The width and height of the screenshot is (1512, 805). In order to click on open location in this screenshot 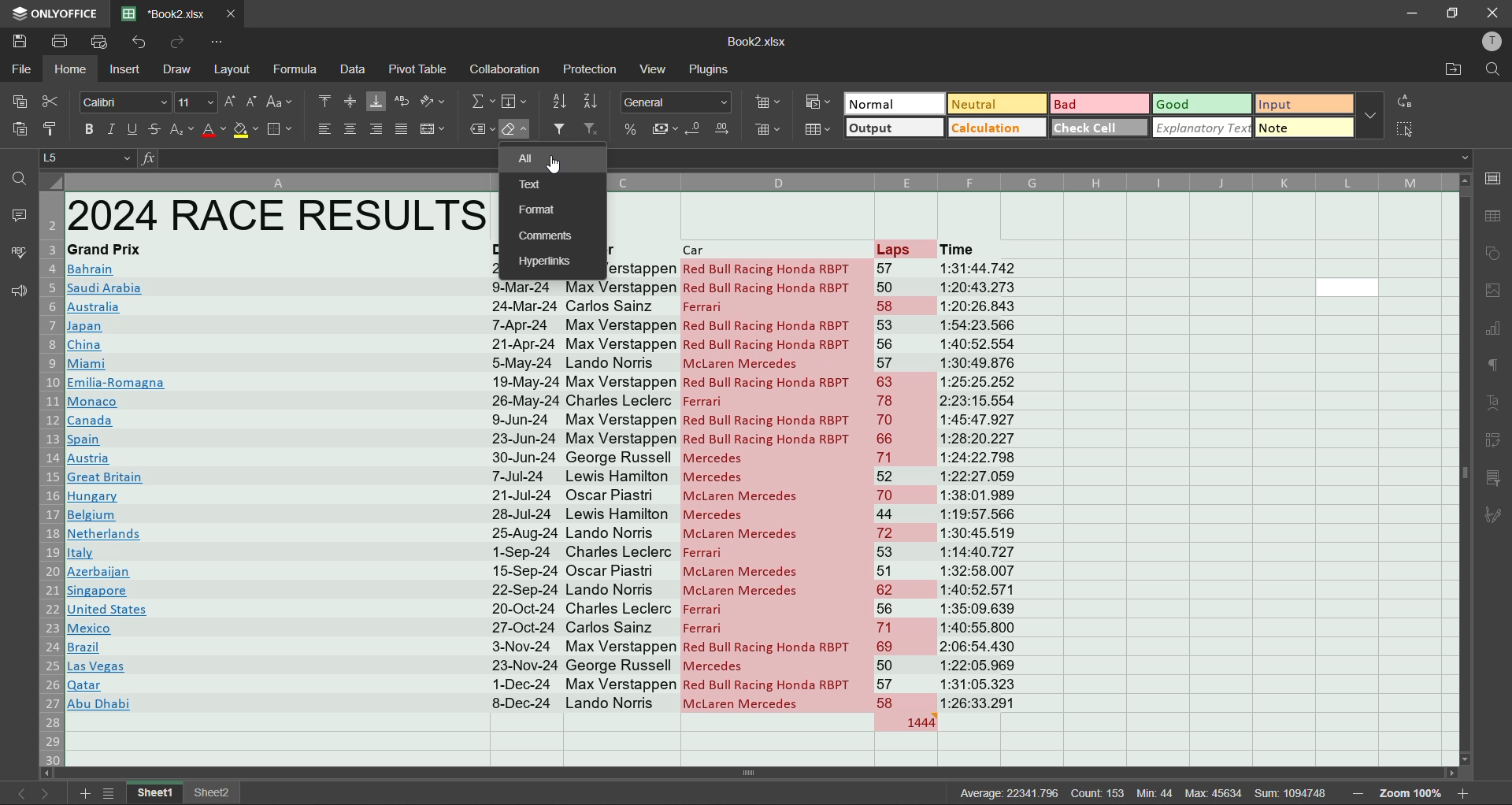, I will do `click(1452, 69)`.